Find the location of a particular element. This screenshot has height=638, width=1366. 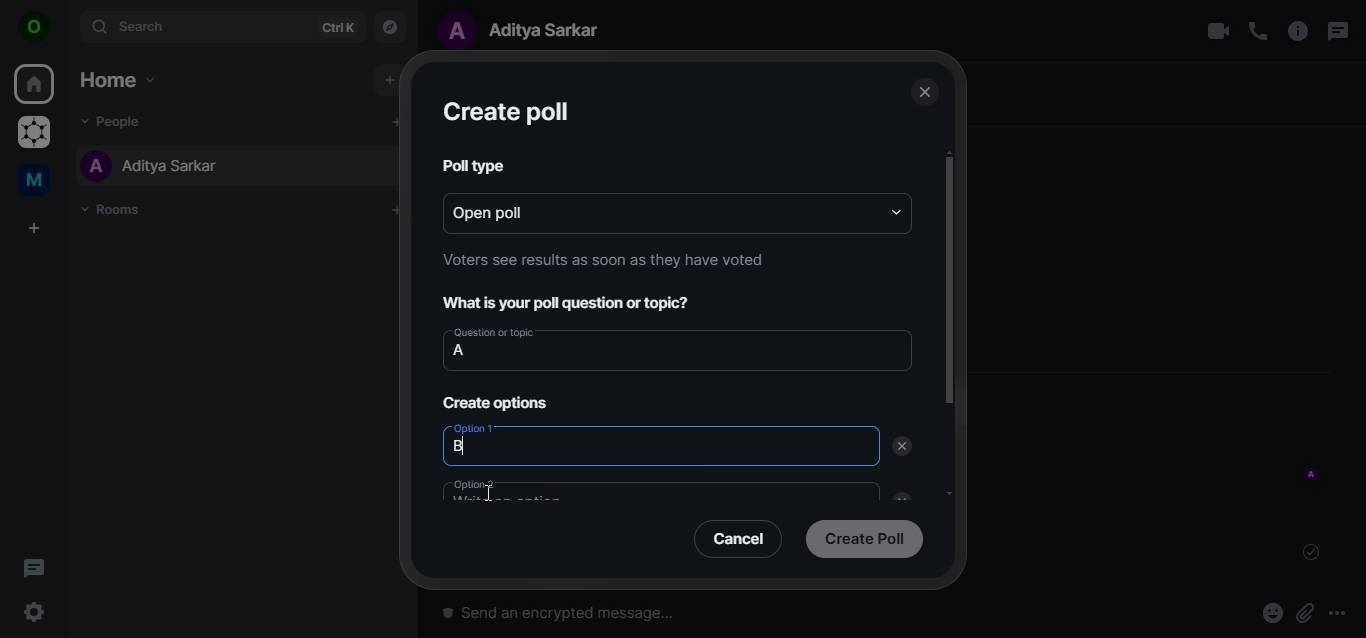

create poll is located at coordinates (864, 537).